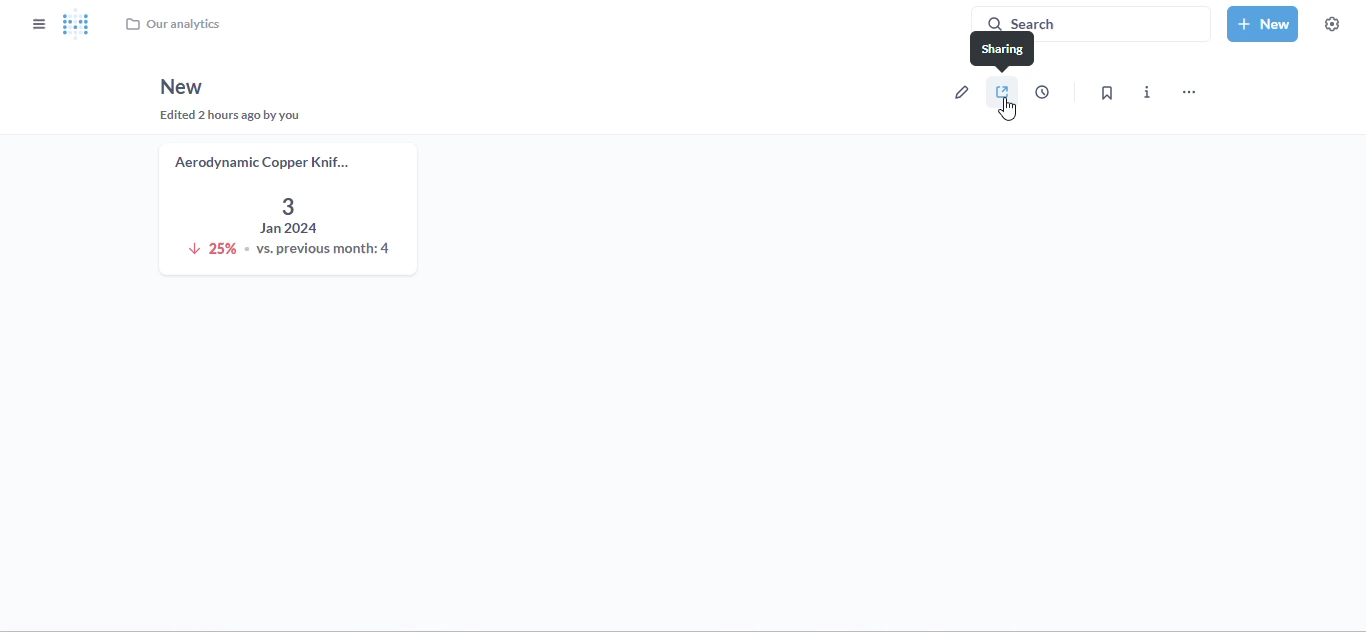  I want to click on more, so click(1189, 92).